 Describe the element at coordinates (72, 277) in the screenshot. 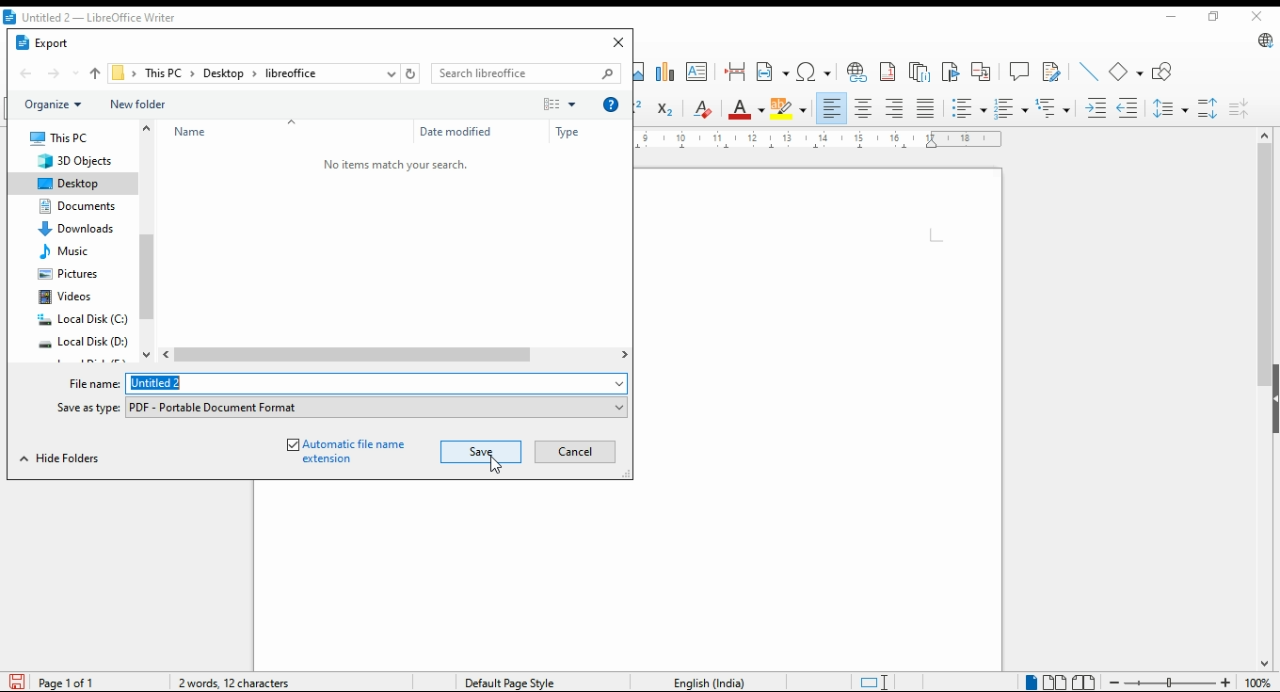

I see `pictures` at that location.